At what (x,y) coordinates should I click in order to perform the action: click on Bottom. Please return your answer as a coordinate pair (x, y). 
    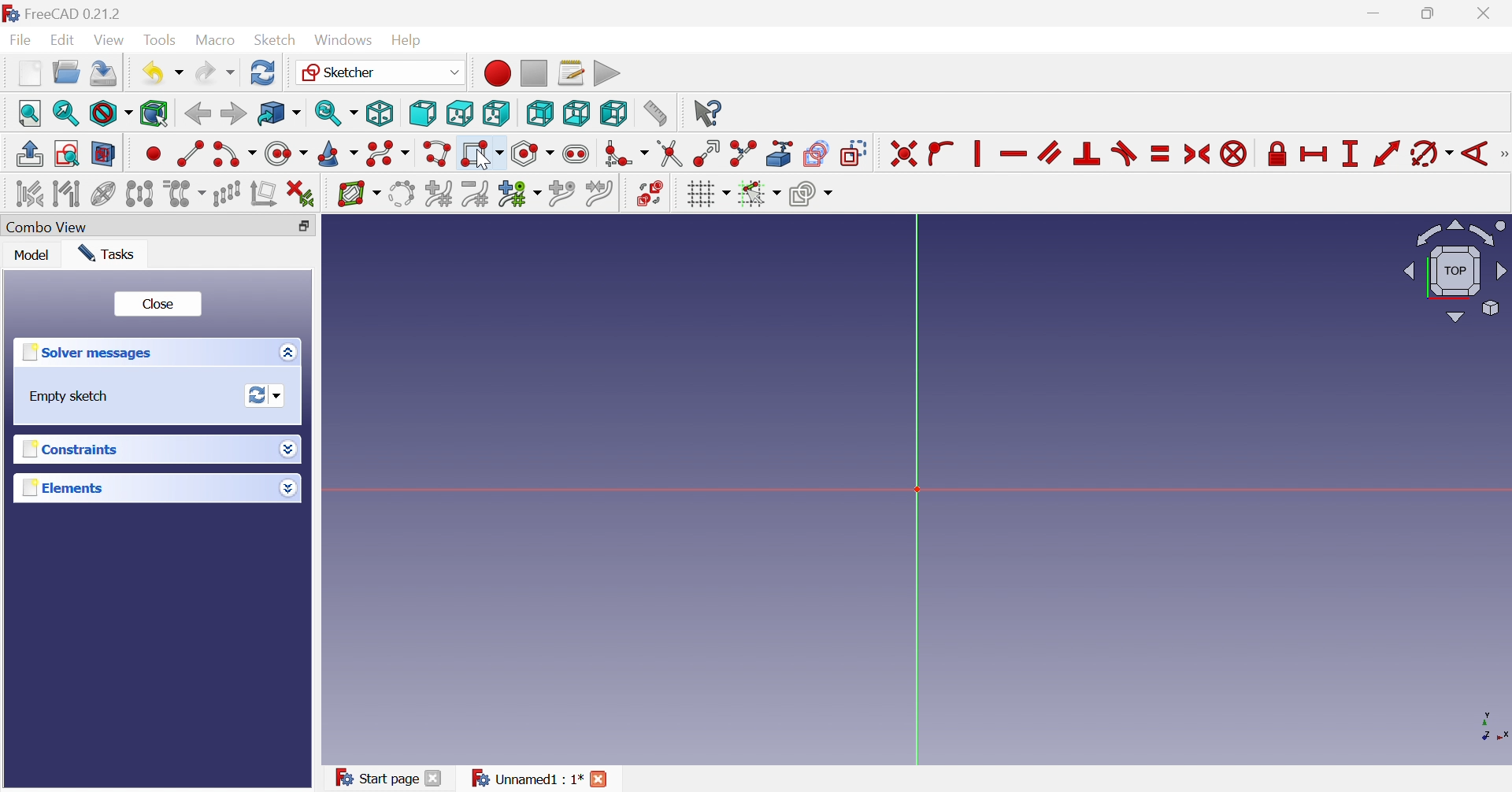
    Looking at the image, I should click on (576, 113).